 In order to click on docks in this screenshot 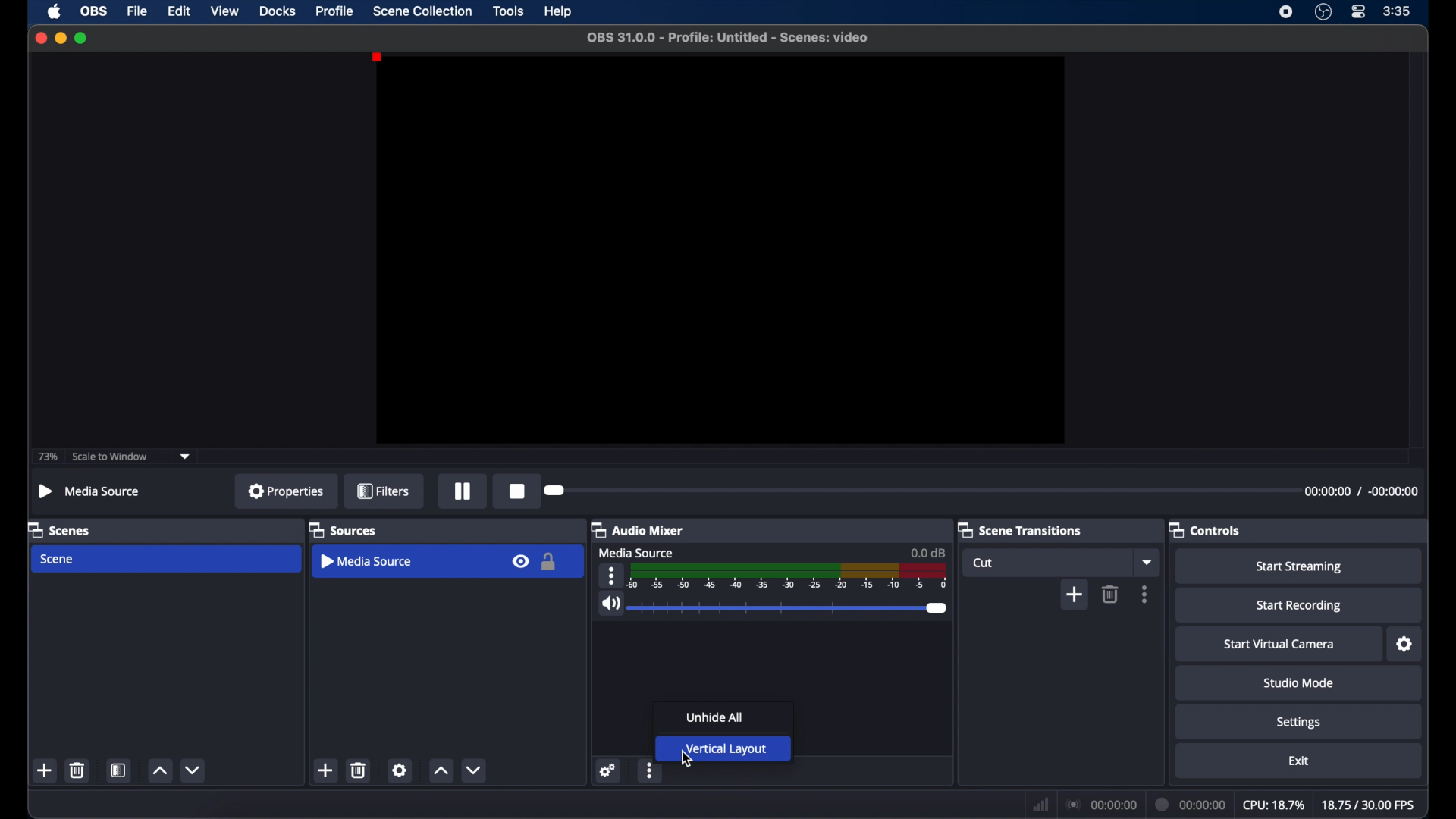, I will do `click(278, 11)`.